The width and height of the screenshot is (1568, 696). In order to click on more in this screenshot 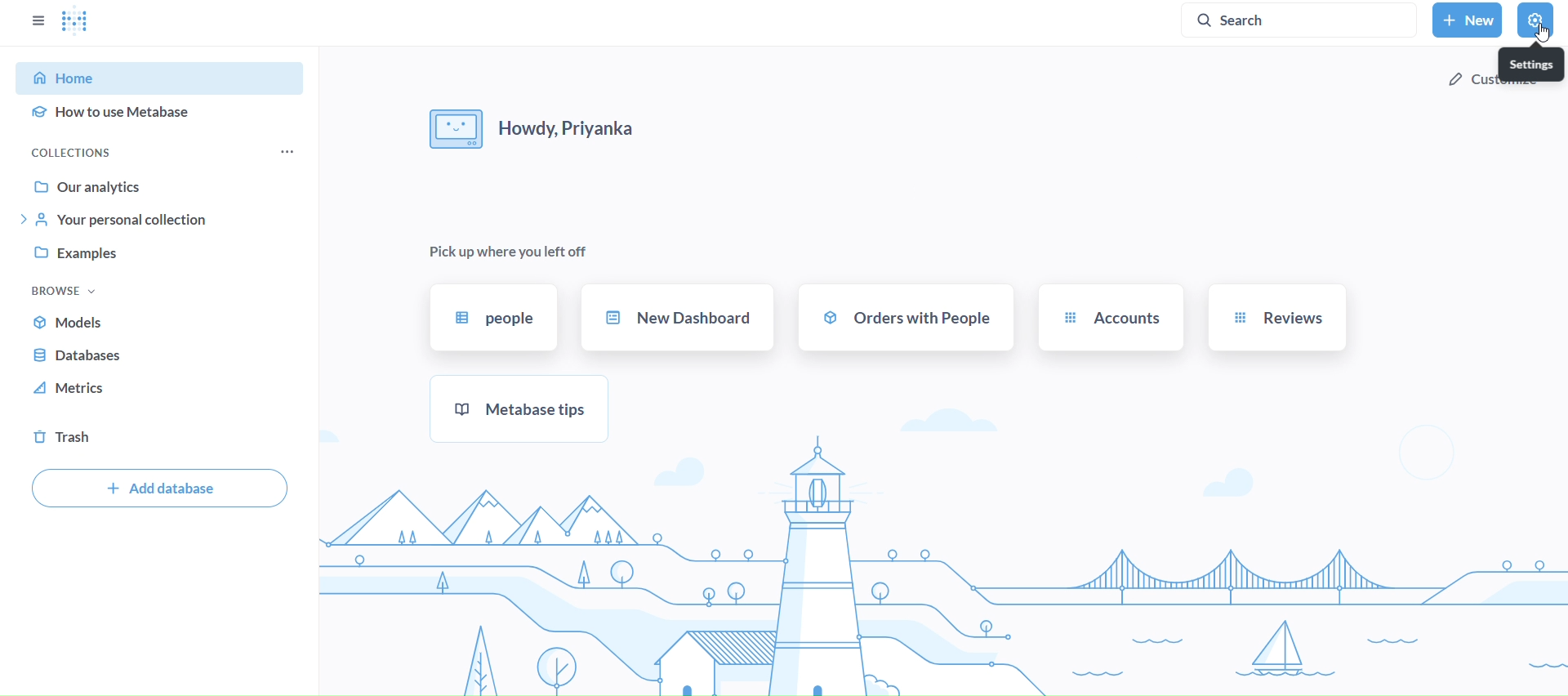, I will do `click(285, 153)`.